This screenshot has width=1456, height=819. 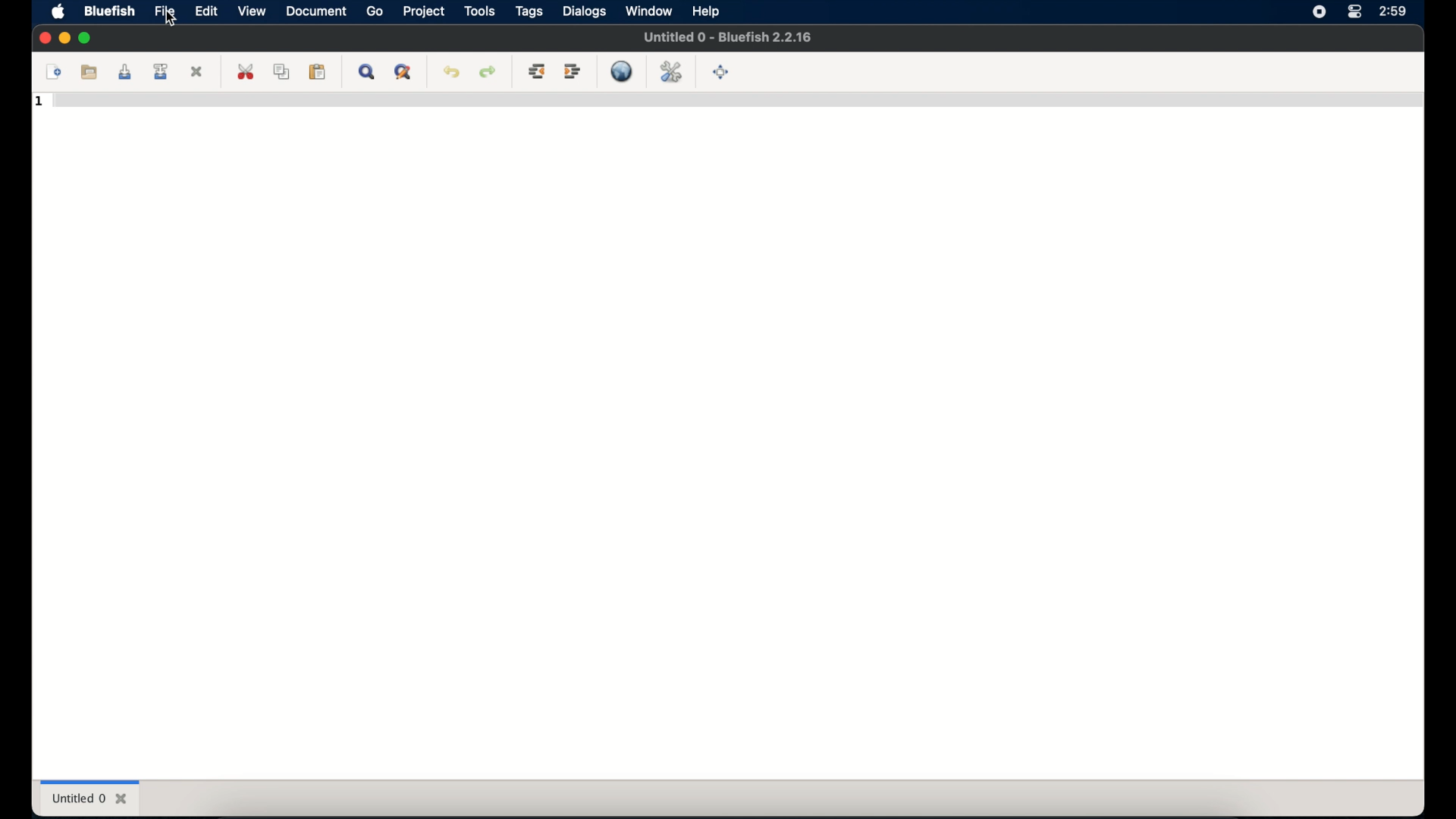 What do you see at coordinates (367, 73) in the screenshot?
I see `show find bar` at bounding box center [367, 73].